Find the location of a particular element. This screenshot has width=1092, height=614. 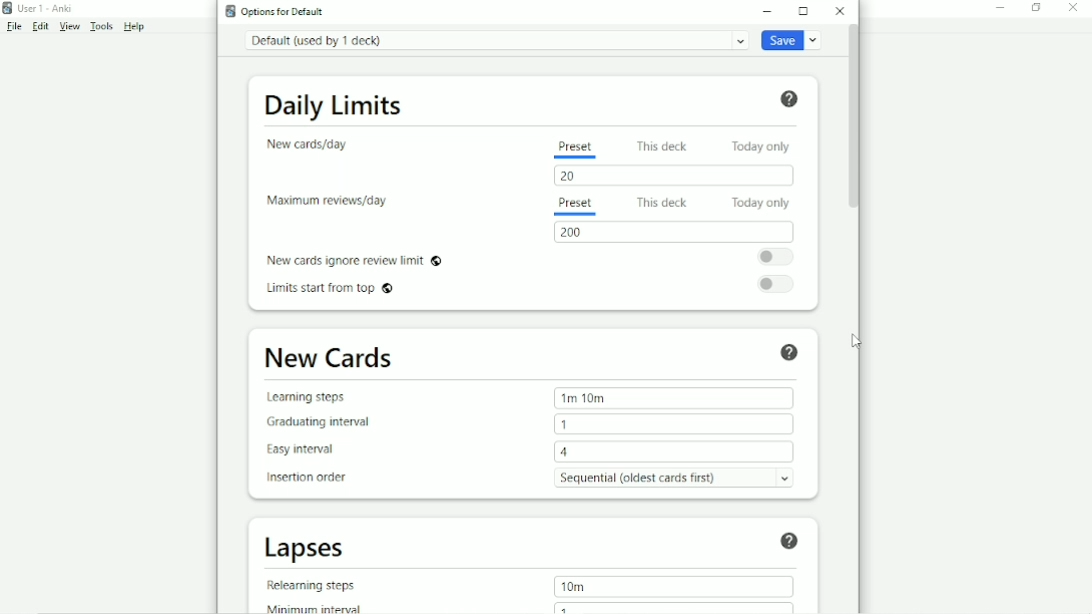

New Cards is located at coordinates (328, 357).